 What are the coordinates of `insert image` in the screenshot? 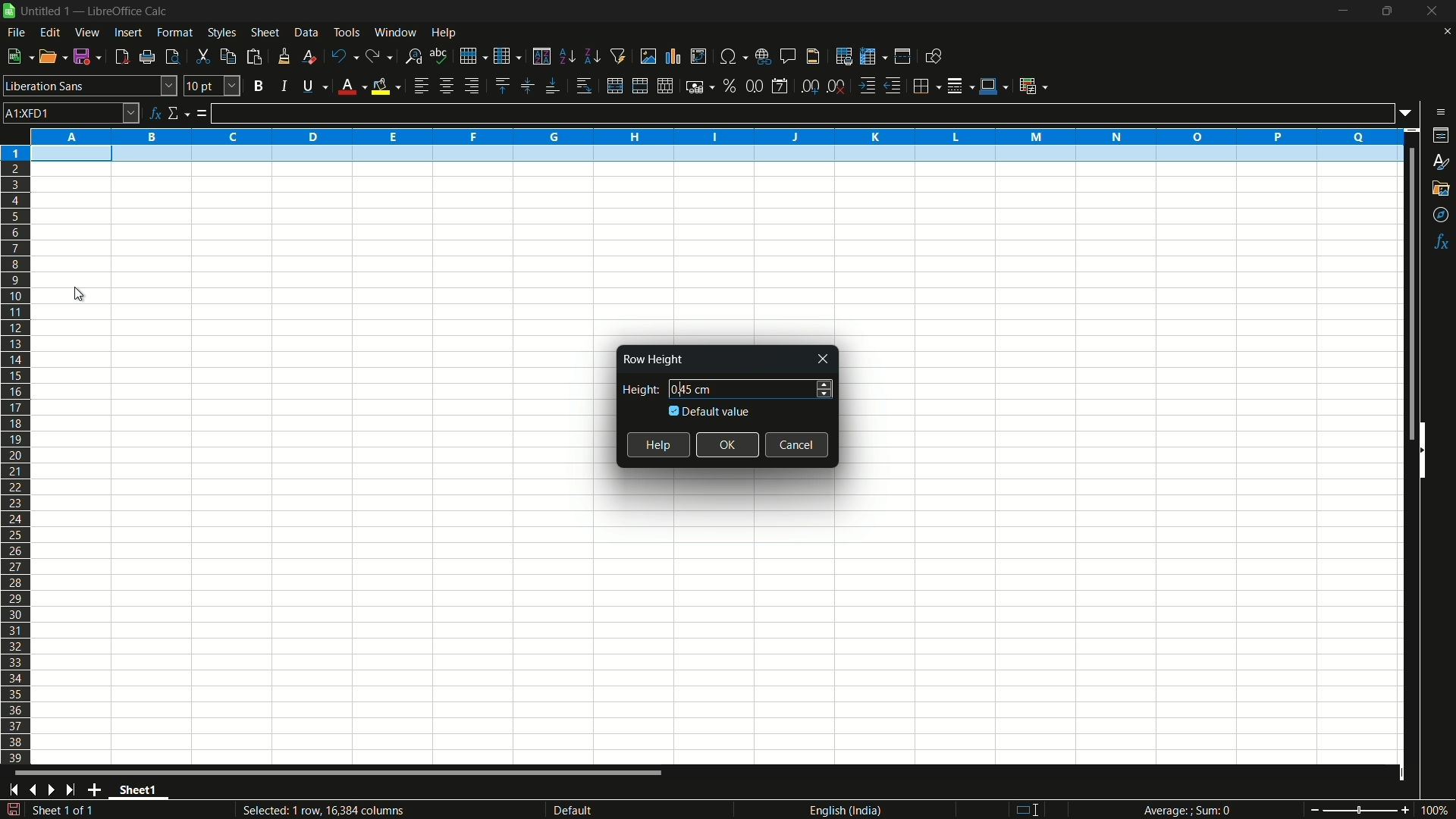 It's located at (648, 55).